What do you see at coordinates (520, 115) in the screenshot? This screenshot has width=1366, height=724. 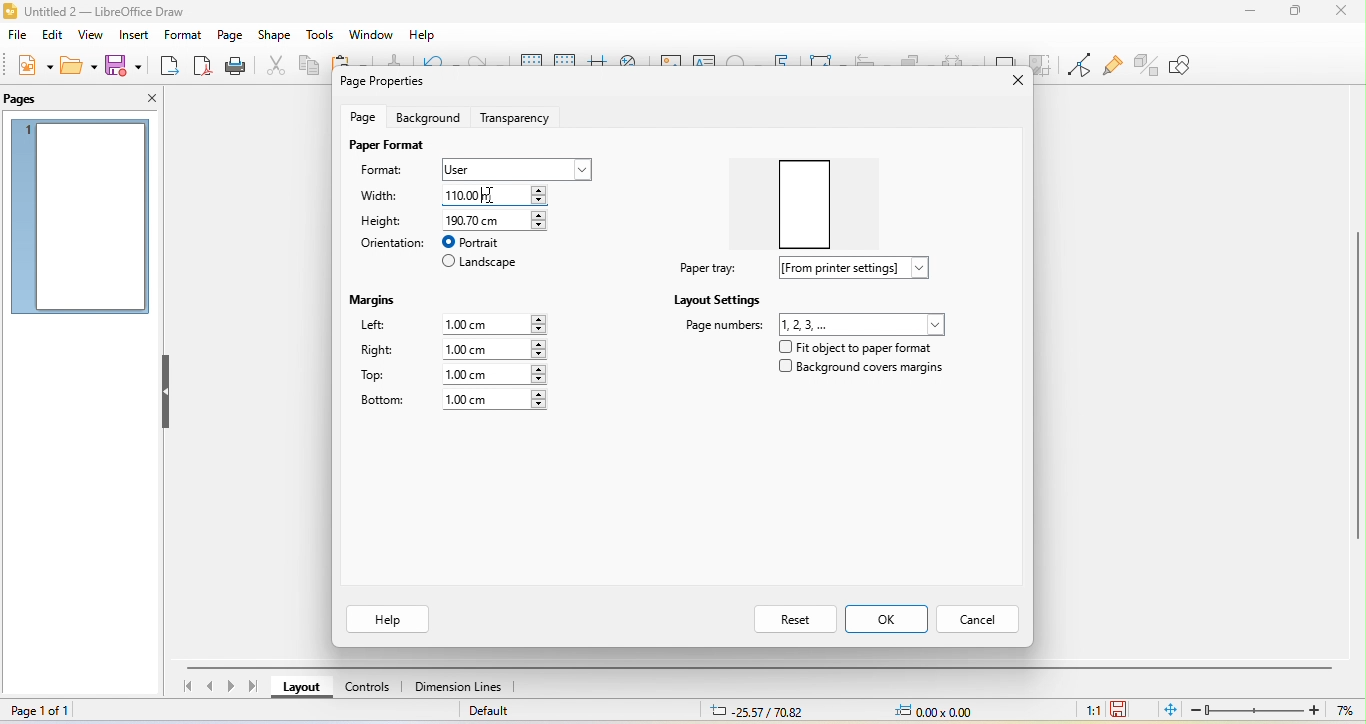 I see `transparency` at bounding box center [520, 115].